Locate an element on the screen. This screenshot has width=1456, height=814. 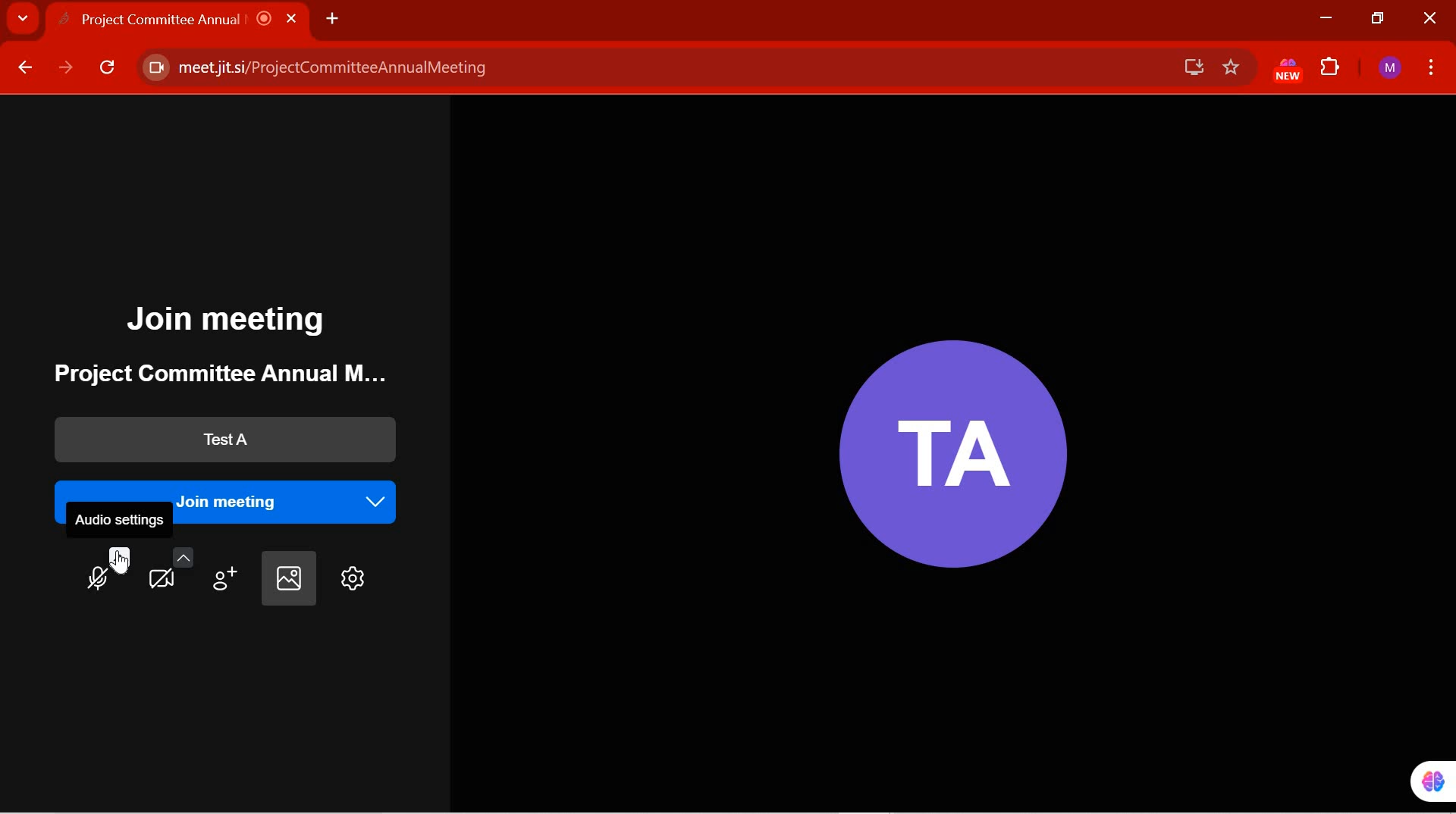
Microphone is located at coordinates (108, 571).